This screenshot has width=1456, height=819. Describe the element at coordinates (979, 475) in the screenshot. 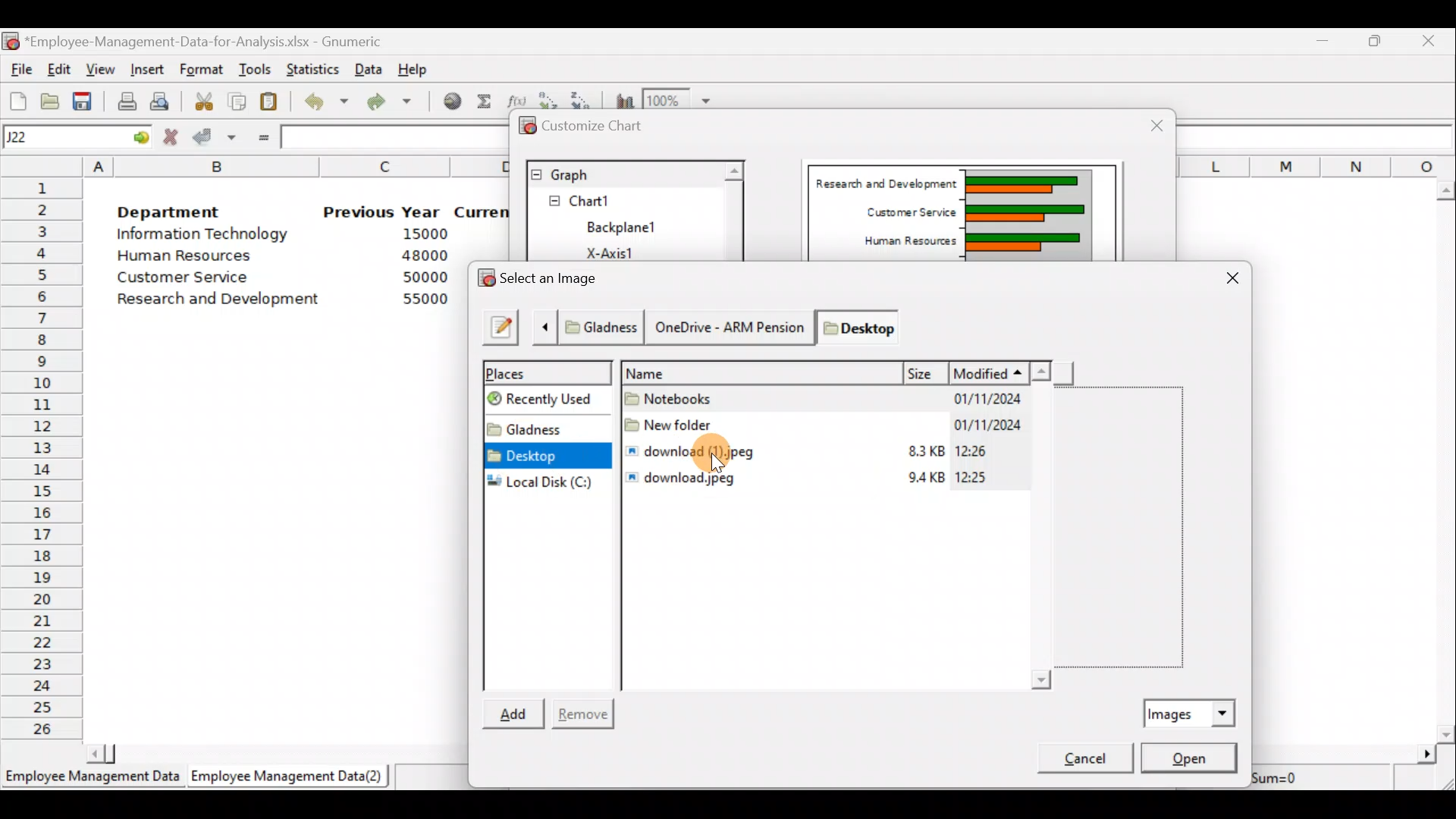

I see `12:25` at that location.